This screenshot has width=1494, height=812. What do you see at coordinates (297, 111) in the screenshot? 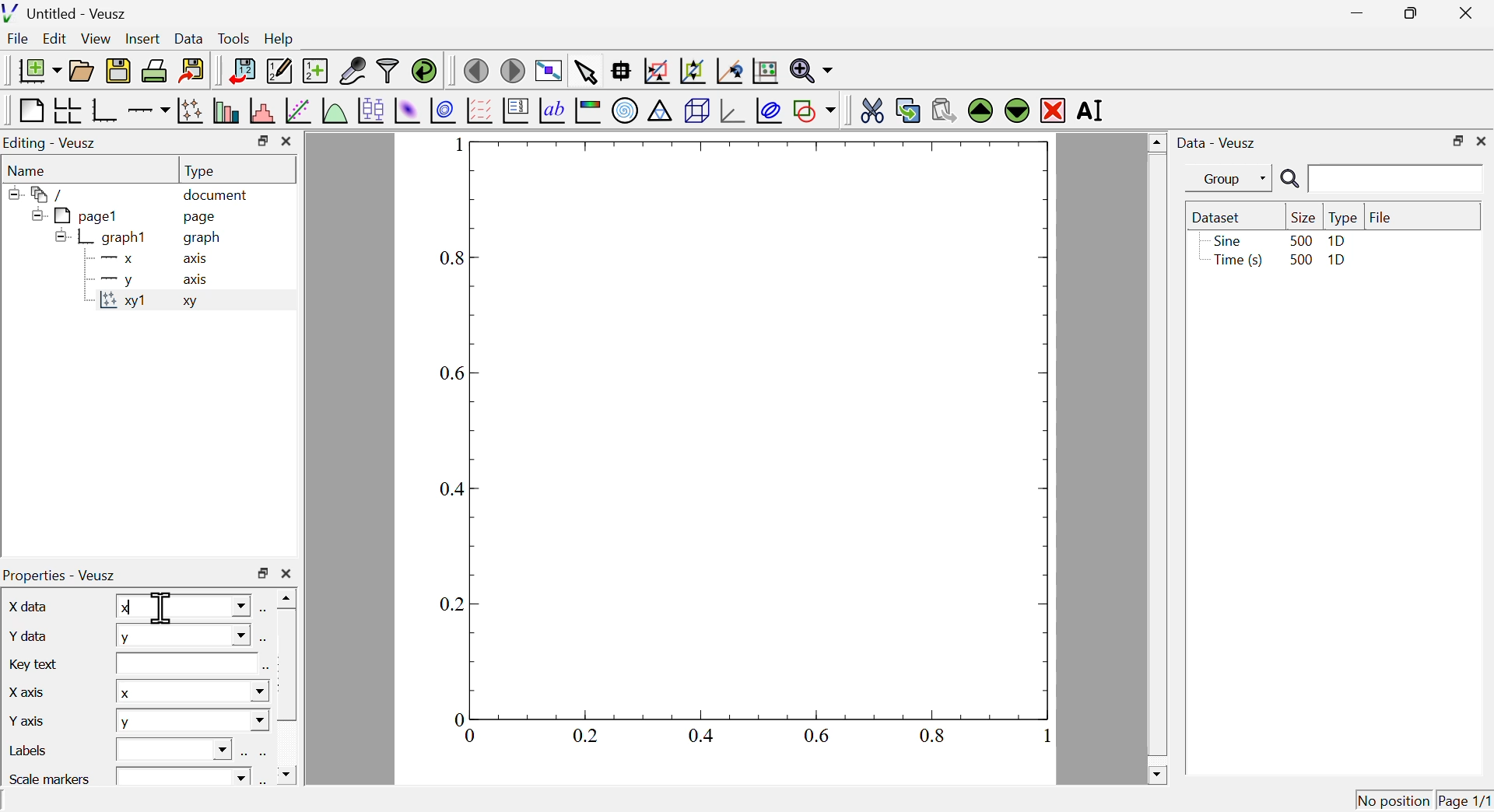
I see `fit a function to data` at bounding box center [297, 111].